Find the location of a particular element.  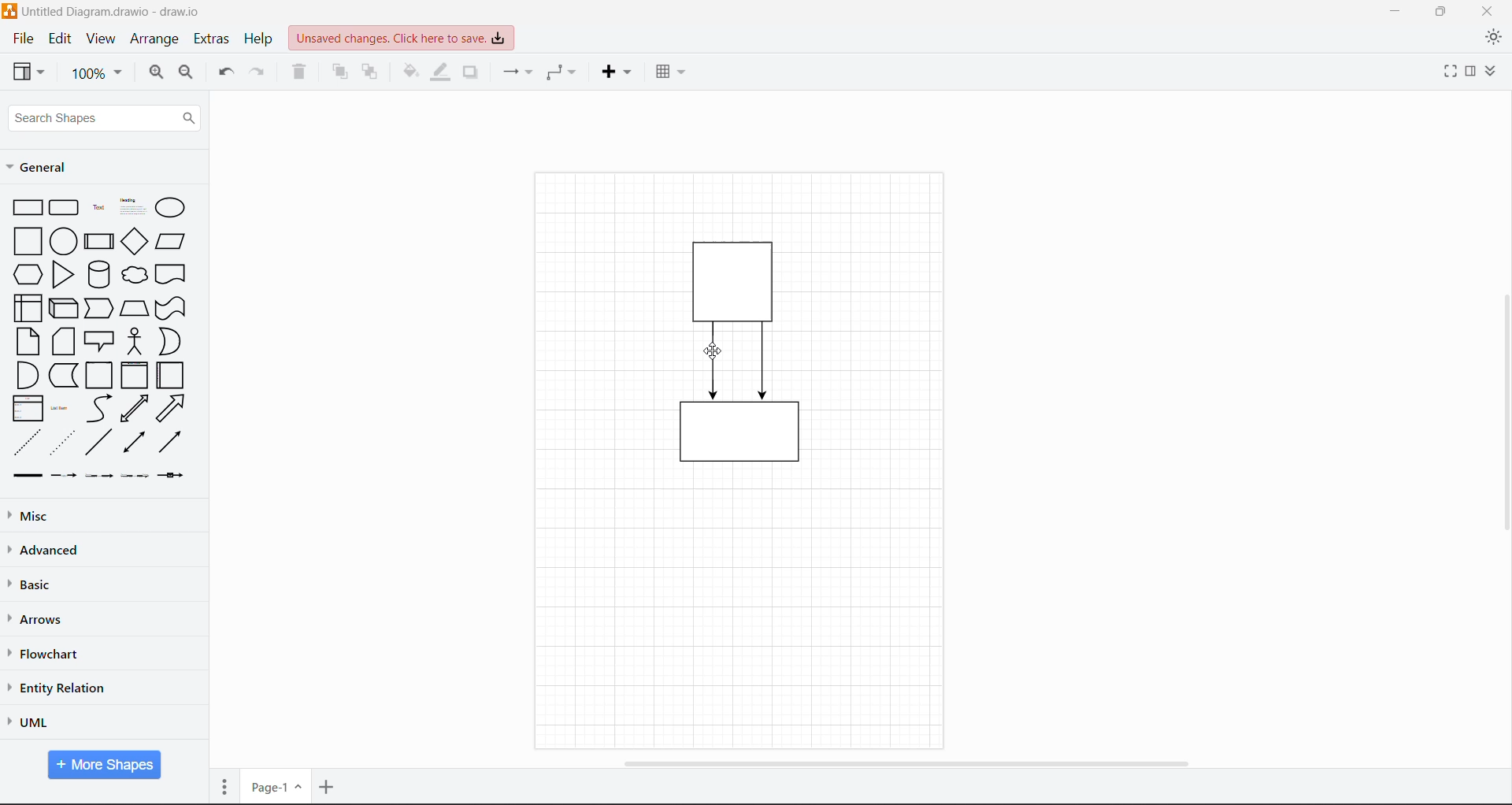

Untitled Diagram.drawio - draw.io is located at coordinates (120, 9).